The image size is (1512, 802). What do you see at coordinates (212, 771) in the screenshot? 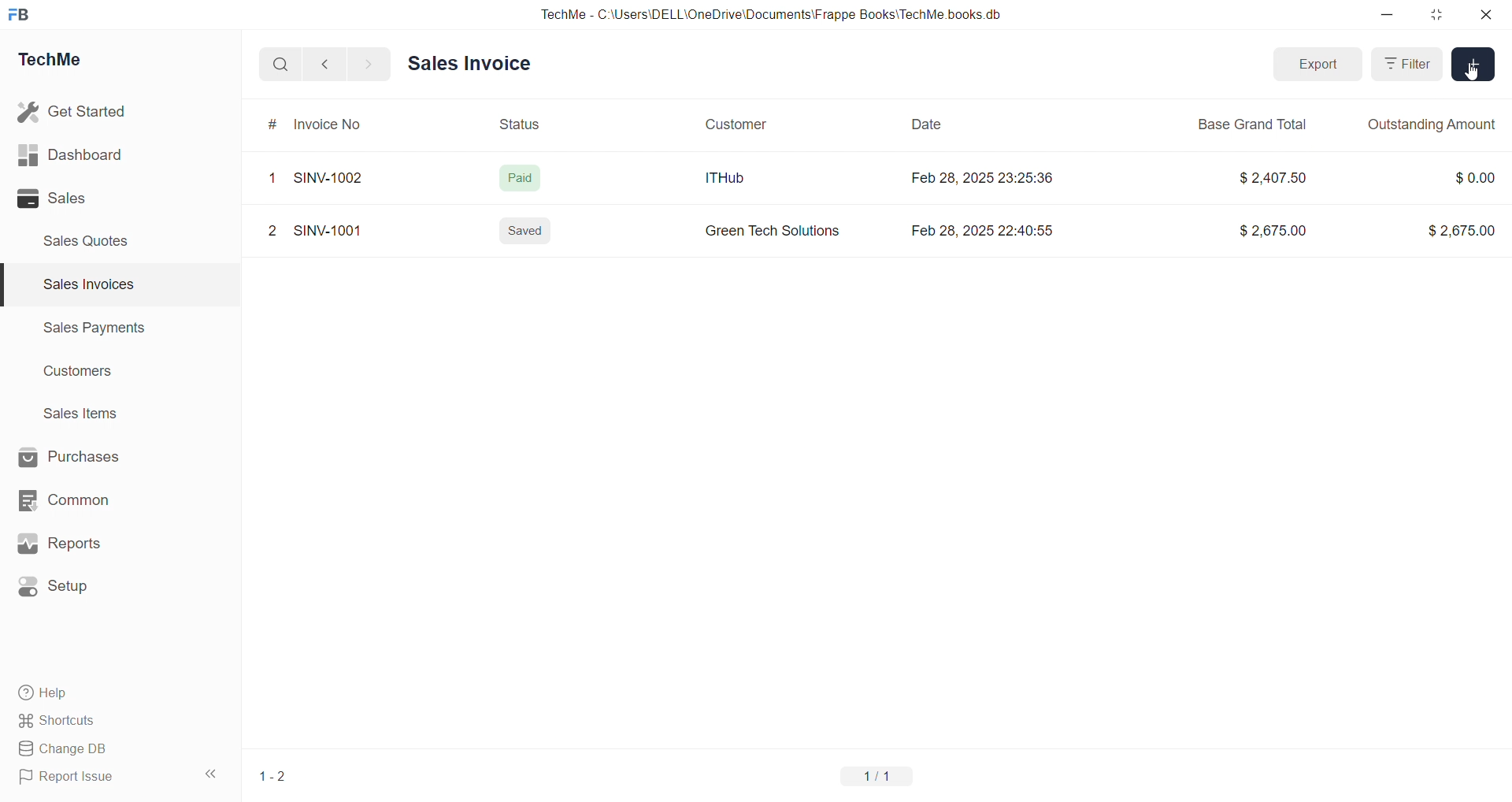
I see `«` at bounding box center [212, 771].